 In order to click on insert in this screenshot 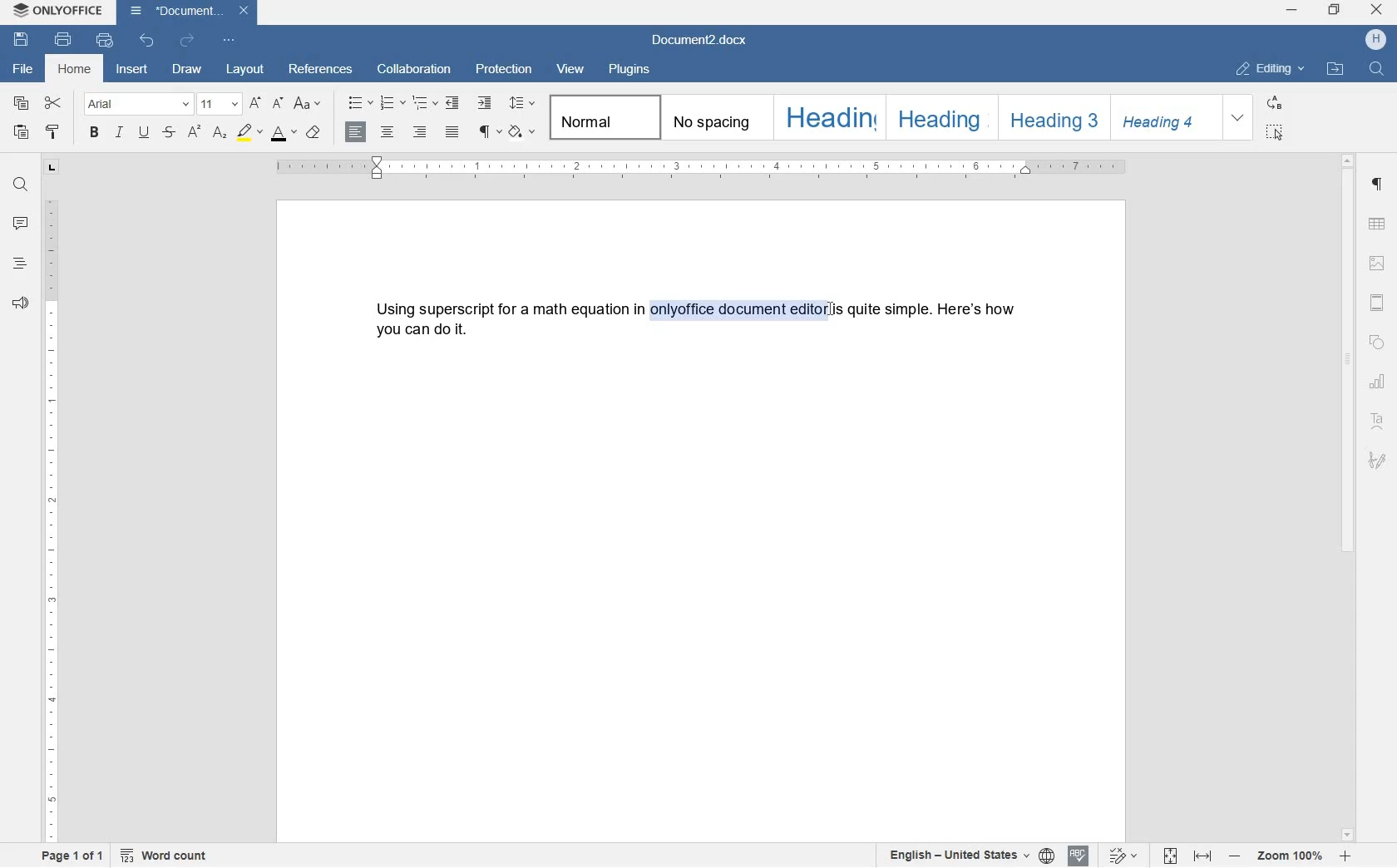, I will do `click(135, 68)`.